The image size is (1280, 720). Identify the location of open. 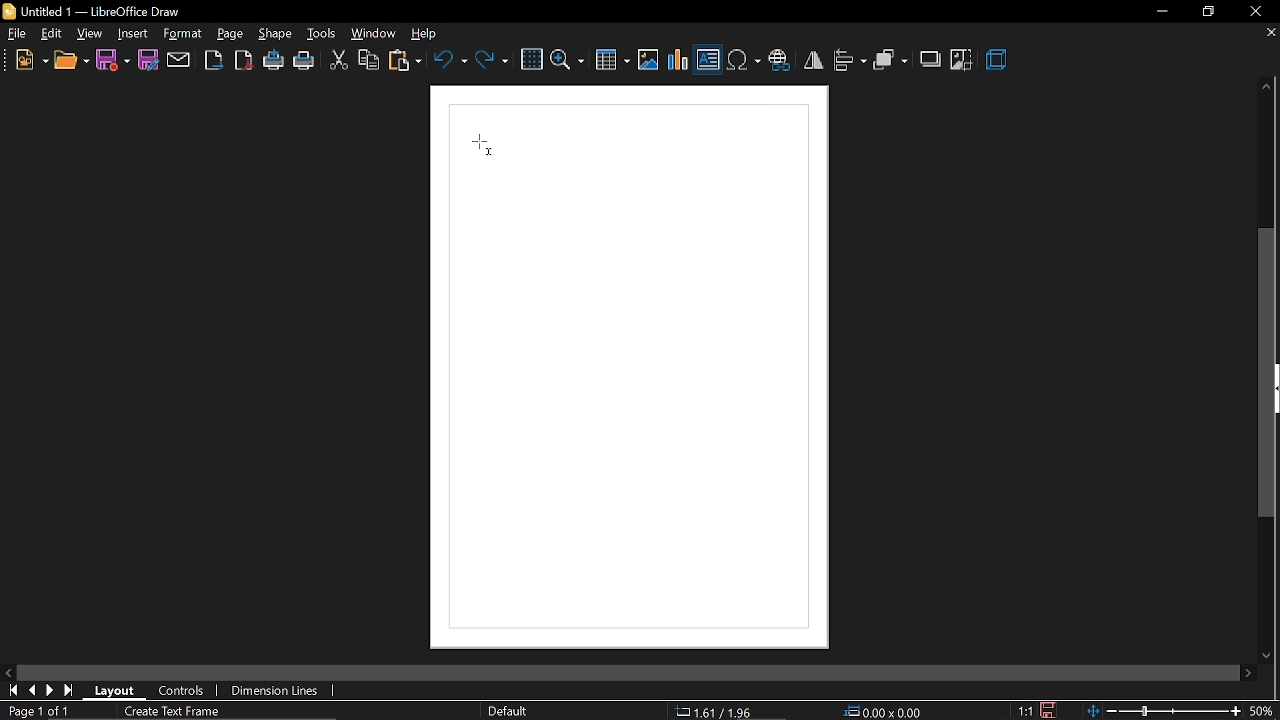
(71, 63).